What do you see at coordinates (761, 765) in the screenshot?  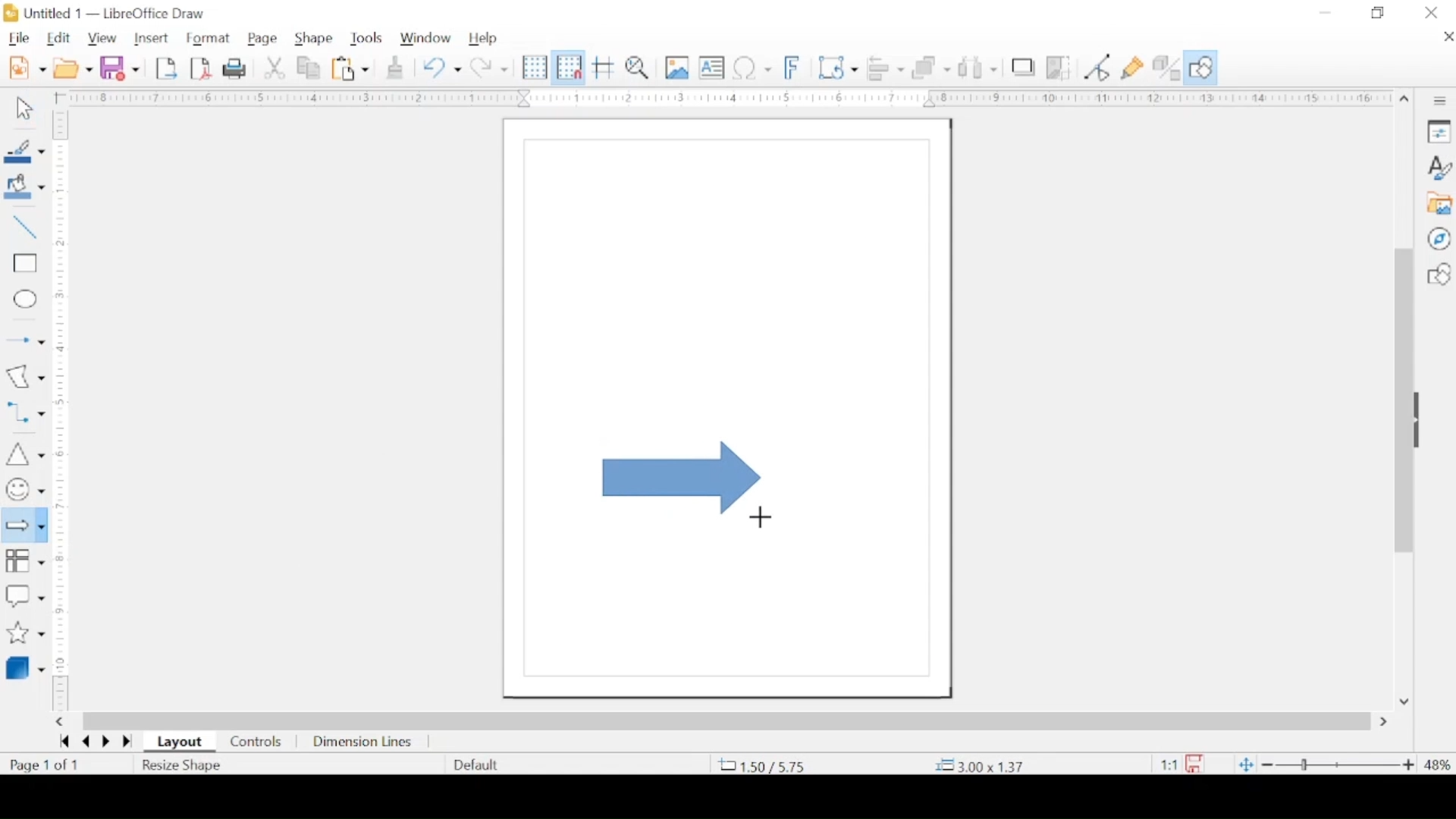 I see `coordinate` at bounding box center [761, 765].